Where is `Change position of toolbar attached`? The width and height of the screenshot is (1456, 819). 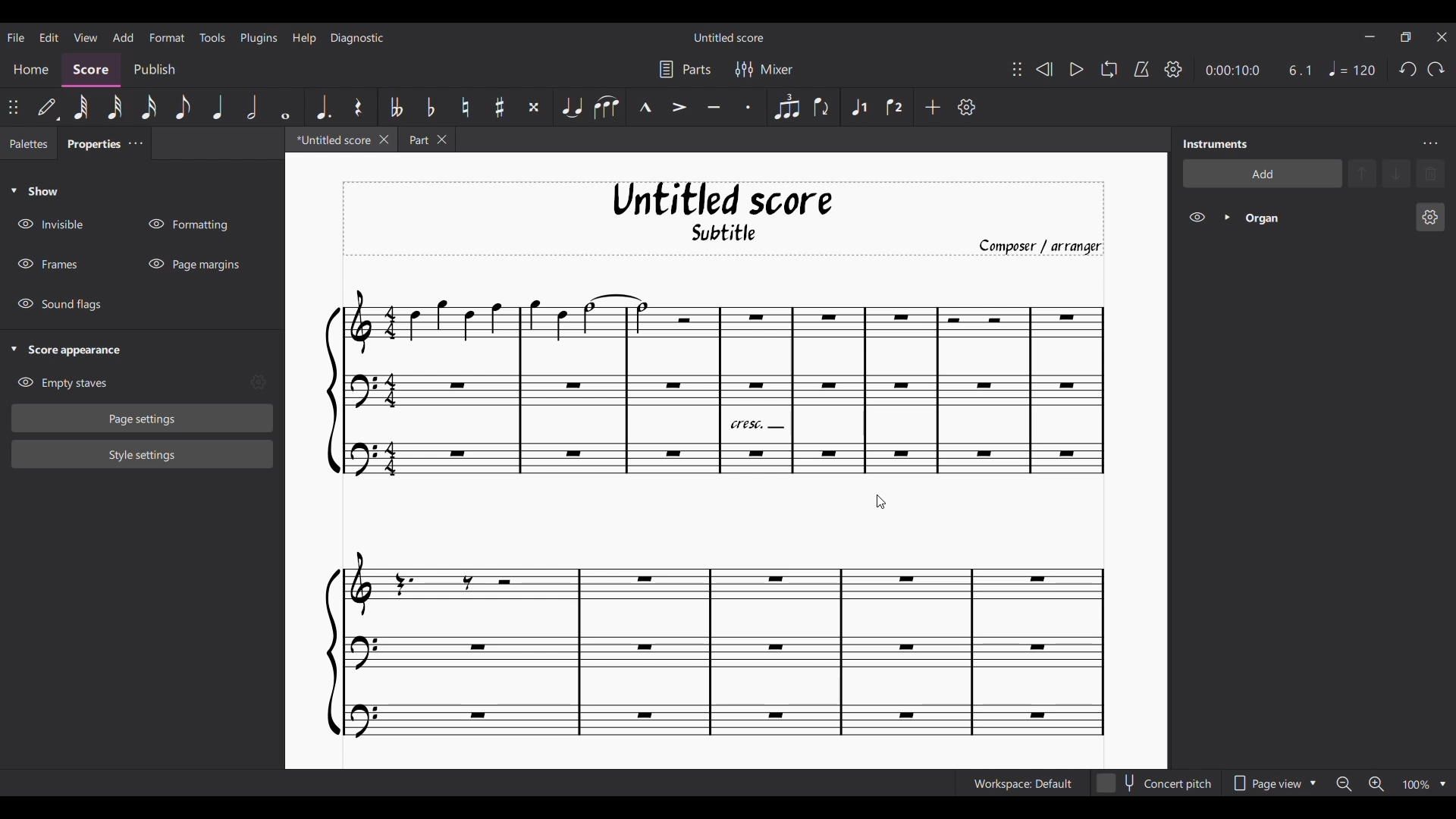 Change position of toolbar attached is located at coordinates (12, 107).